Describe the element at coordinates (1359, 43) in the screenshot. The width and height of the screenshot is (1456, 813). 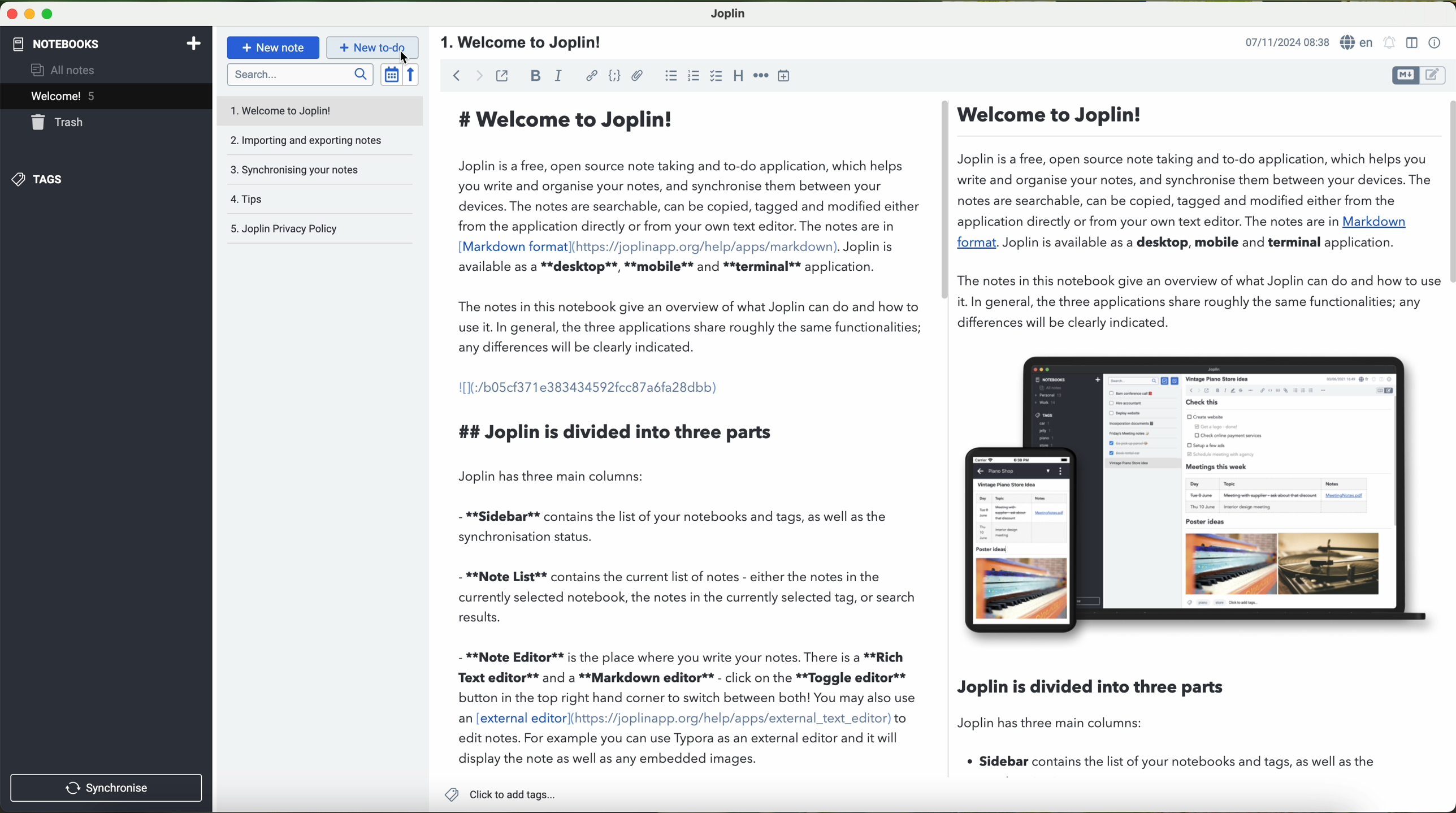
I see `language` at that location.